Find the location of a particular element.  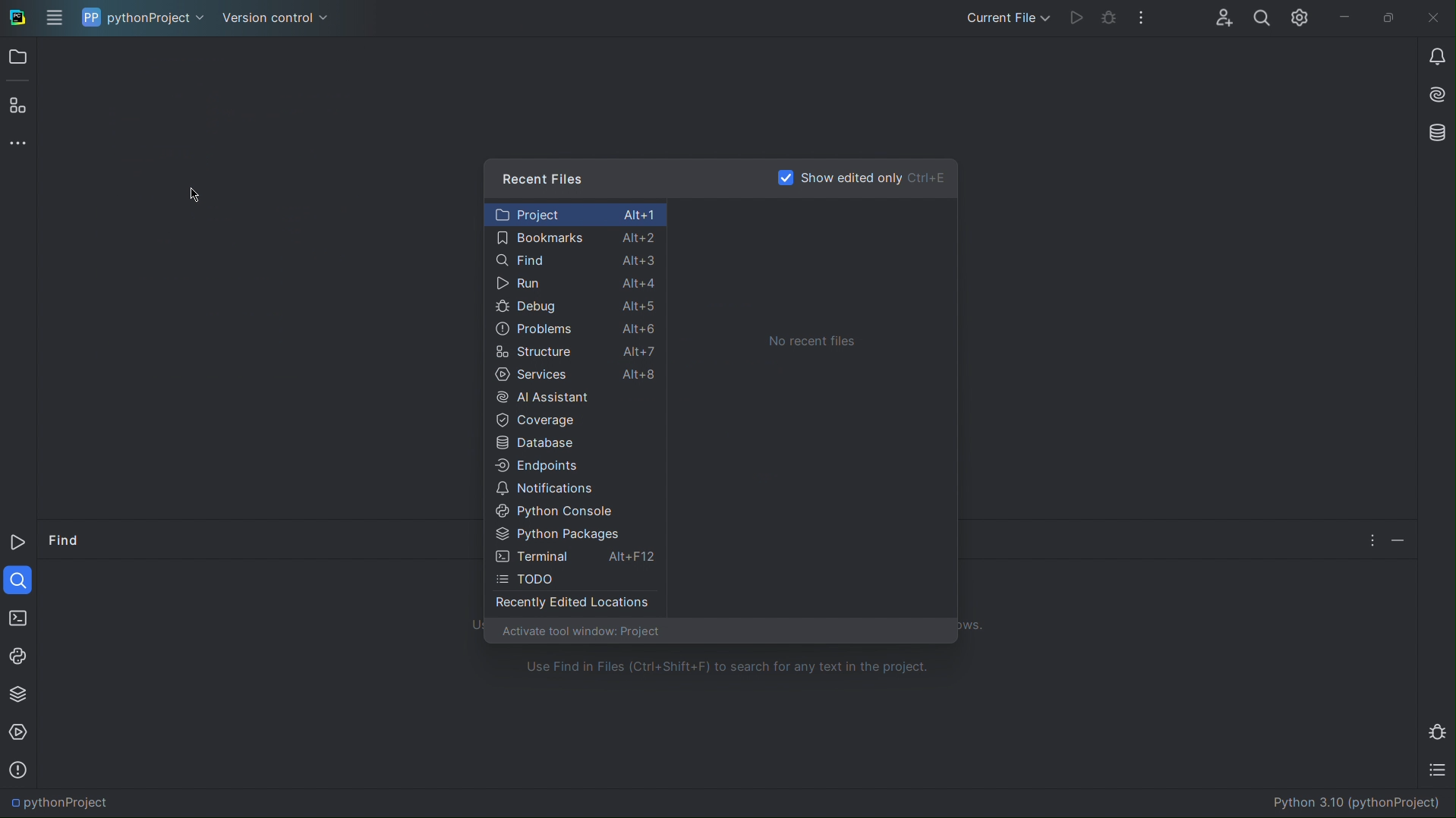

Services is located at coordinates (575, 376).